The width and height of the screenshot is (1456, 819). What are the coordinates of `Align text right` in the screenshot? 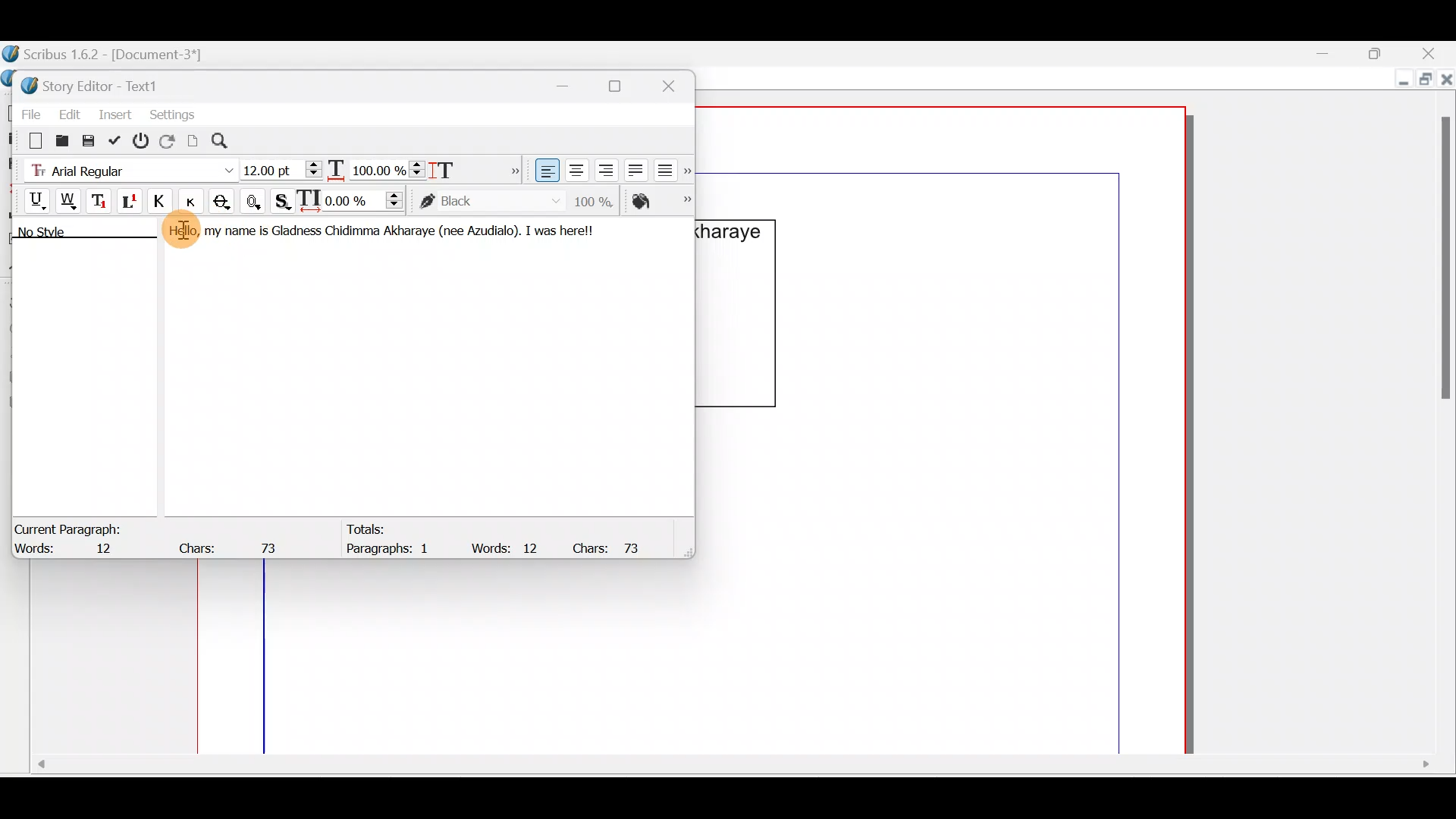 It's located at (603, 171).